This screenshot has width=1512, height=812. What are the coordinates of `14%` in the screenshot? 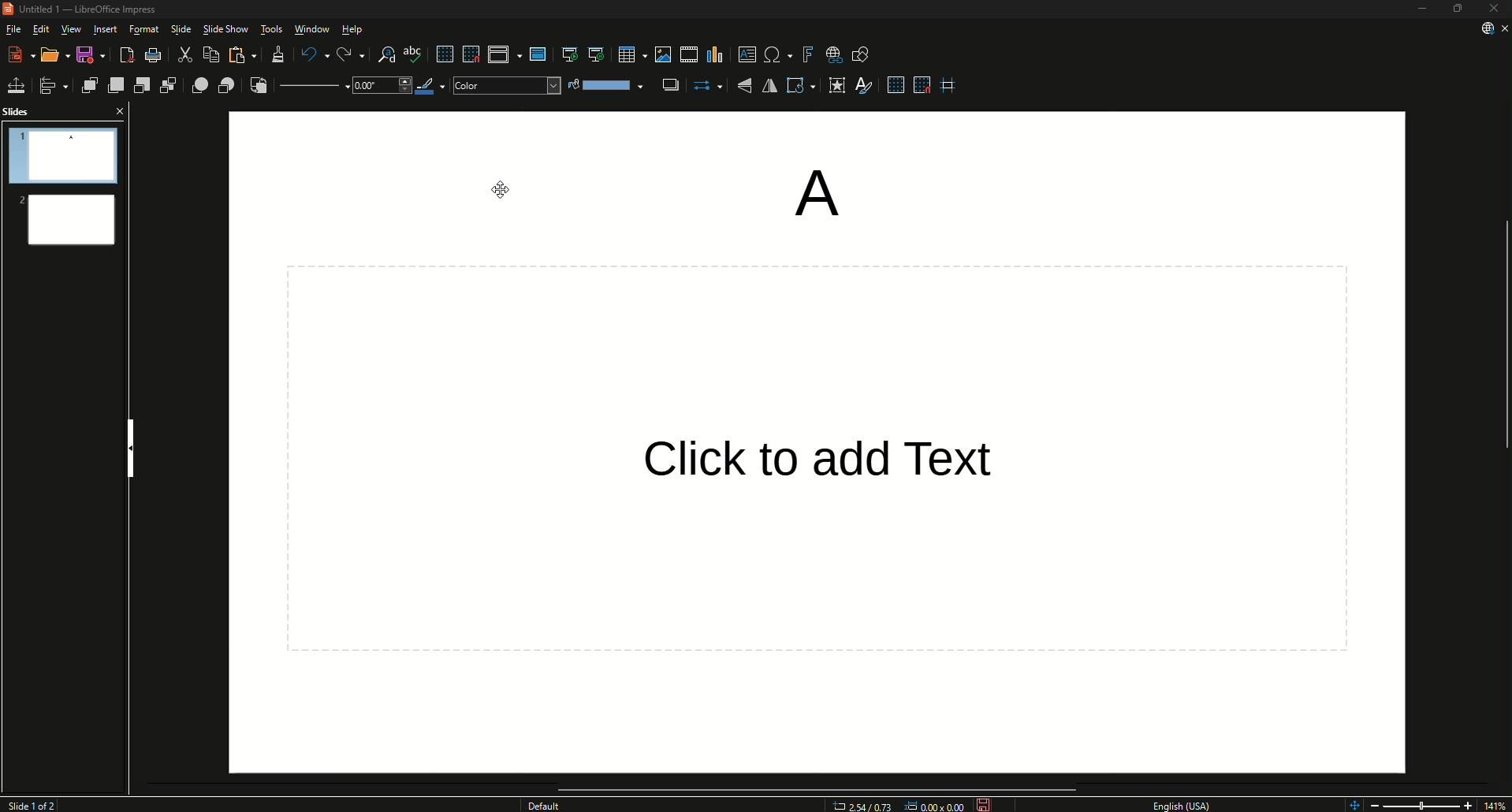 It's located at (1497, 804).